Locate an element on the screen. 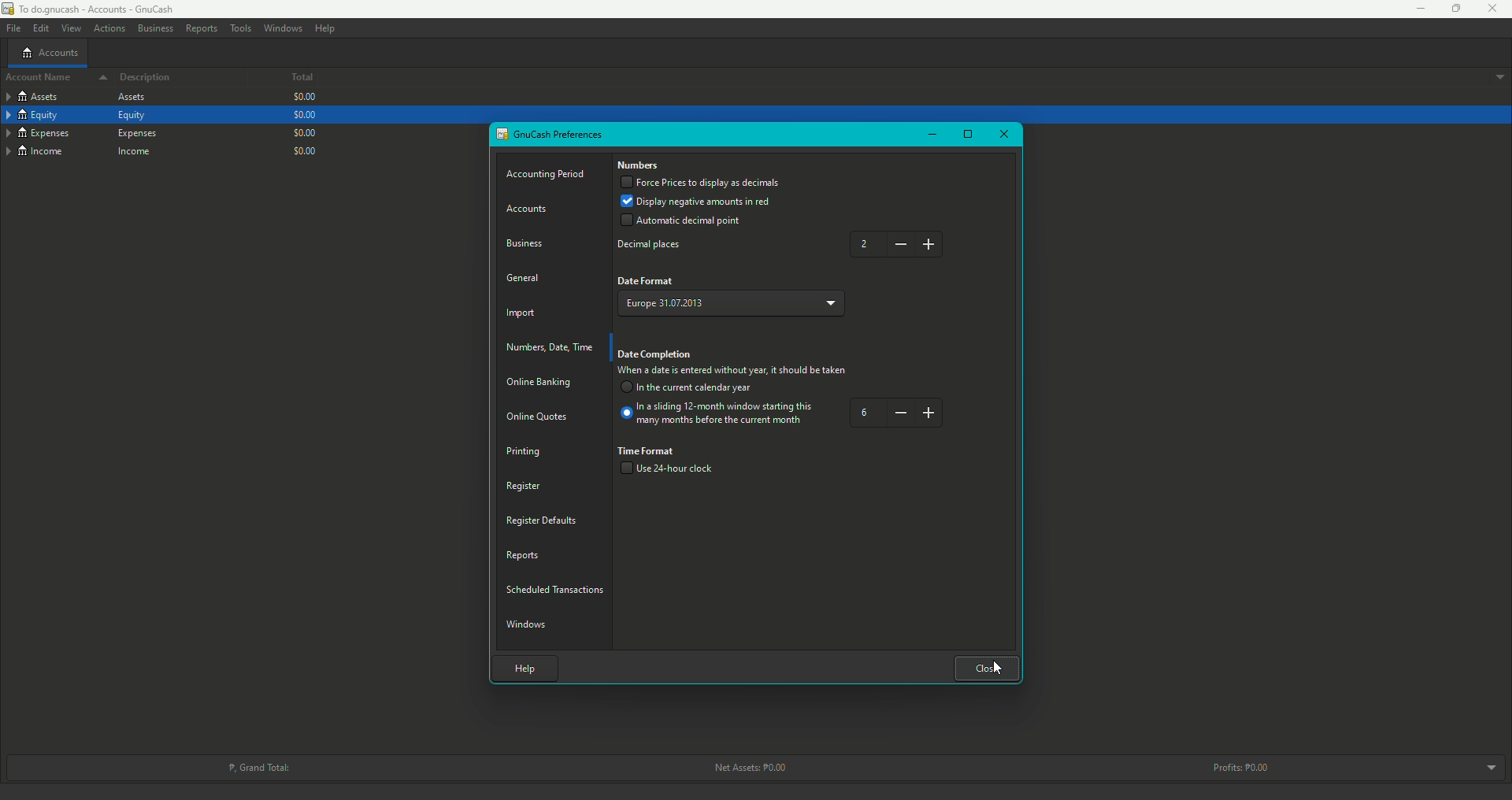  Business is located at coordinates (154, 27).